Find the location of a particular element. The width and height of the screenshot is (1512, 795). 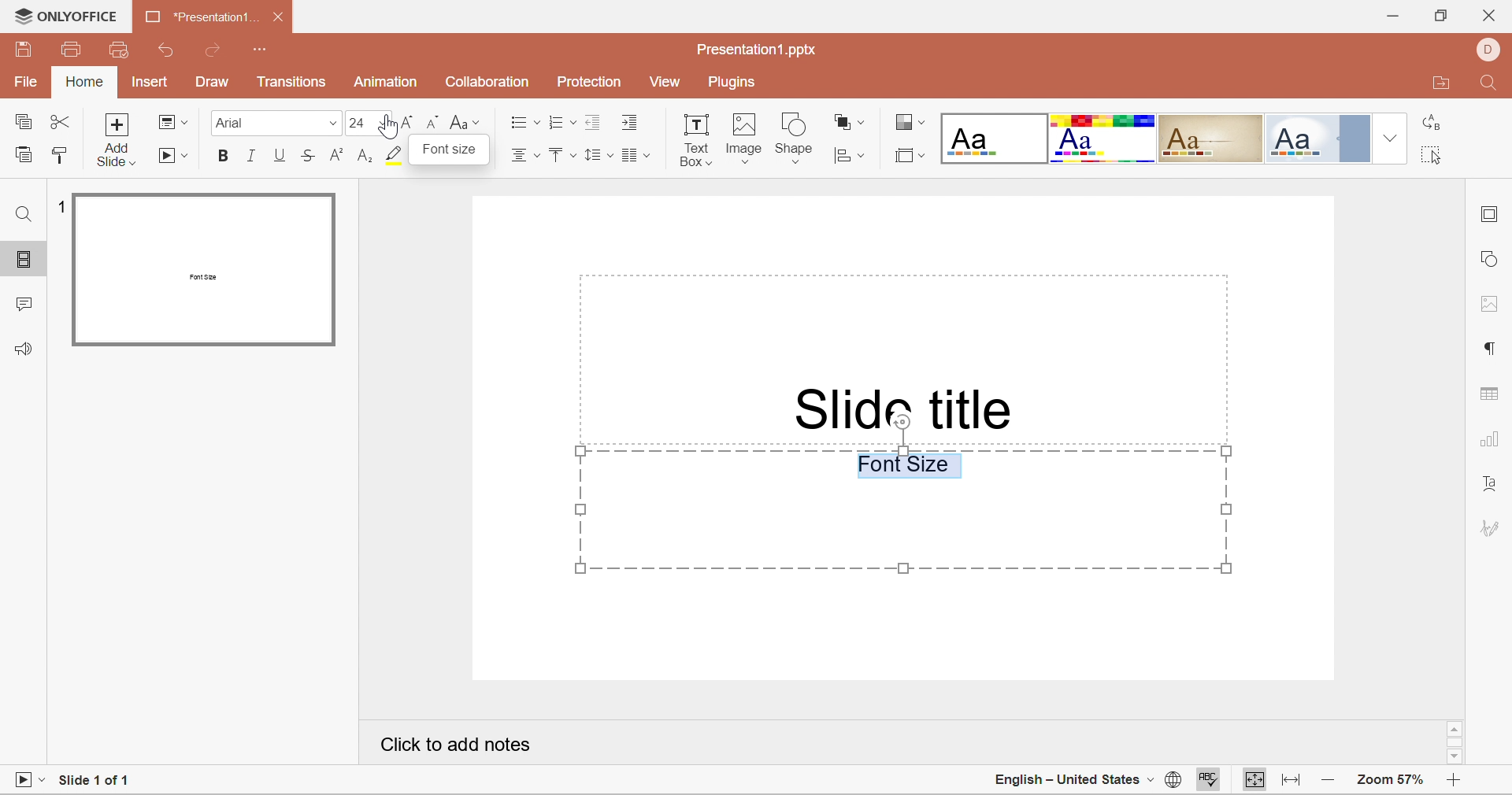

Open file location is located at coordinates (1443, 83).